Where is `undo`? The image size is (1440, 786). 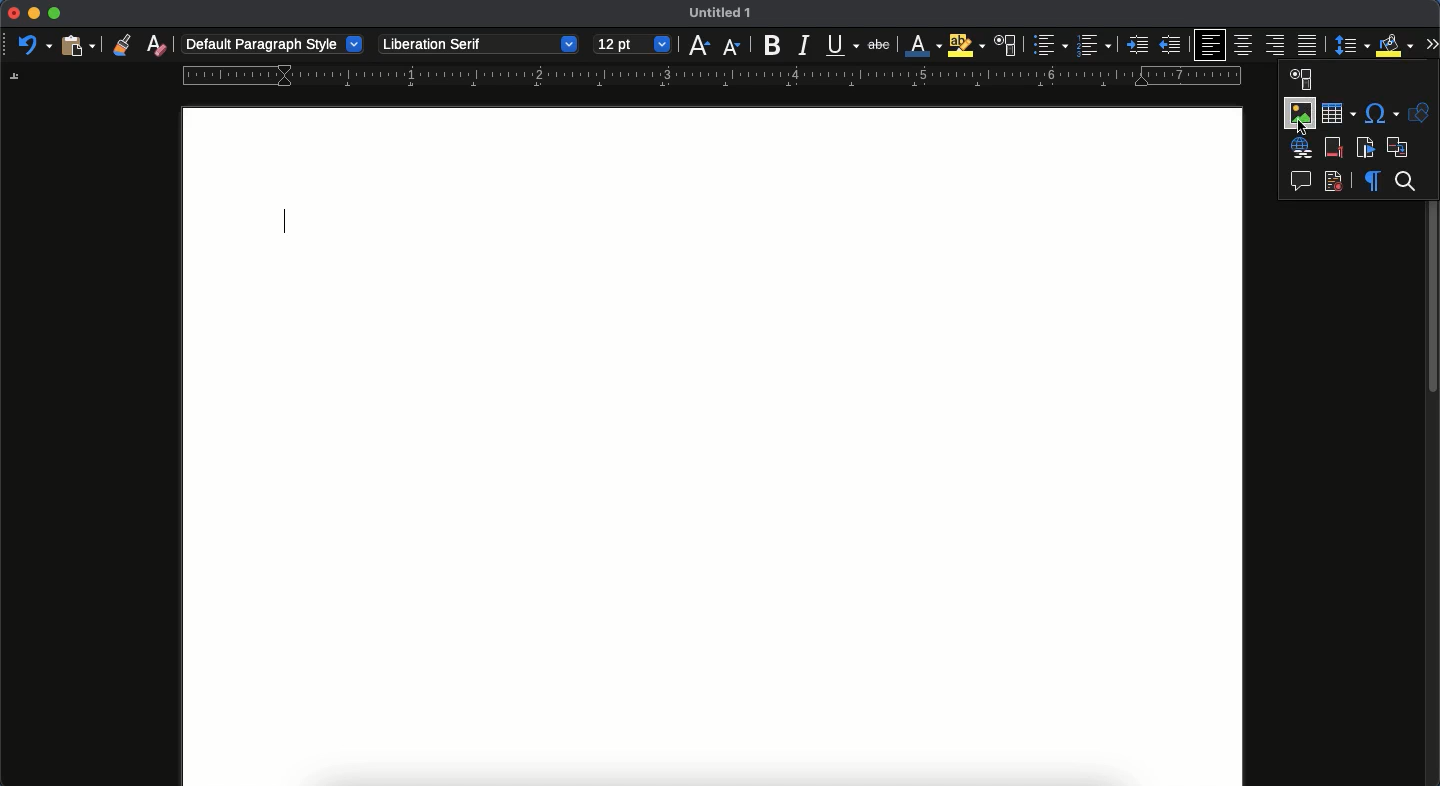
undo is located at coordinates (33, 46).